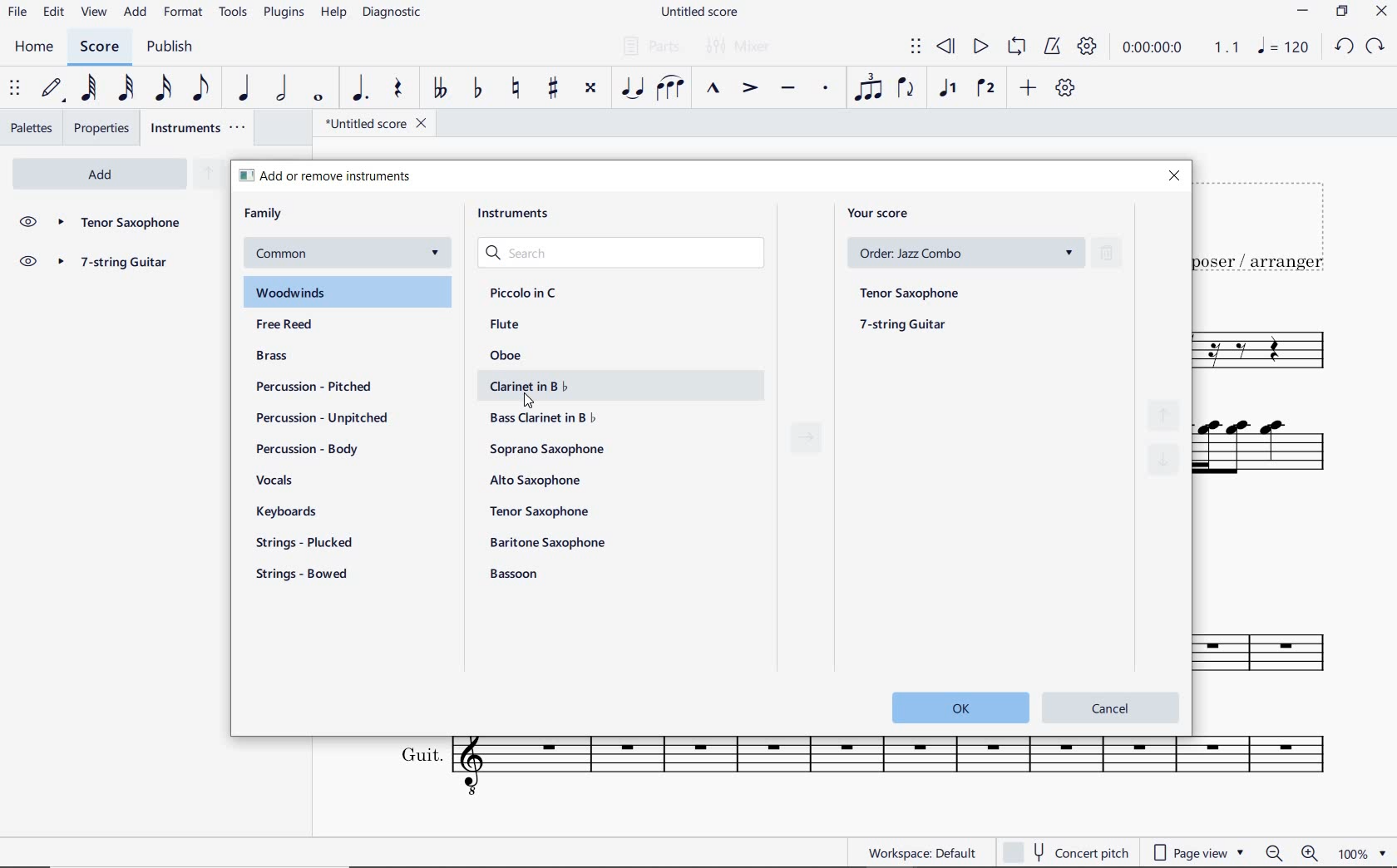  Describe the element at coordinates (884, 213) in the screenshot. I see `your score` at that location.